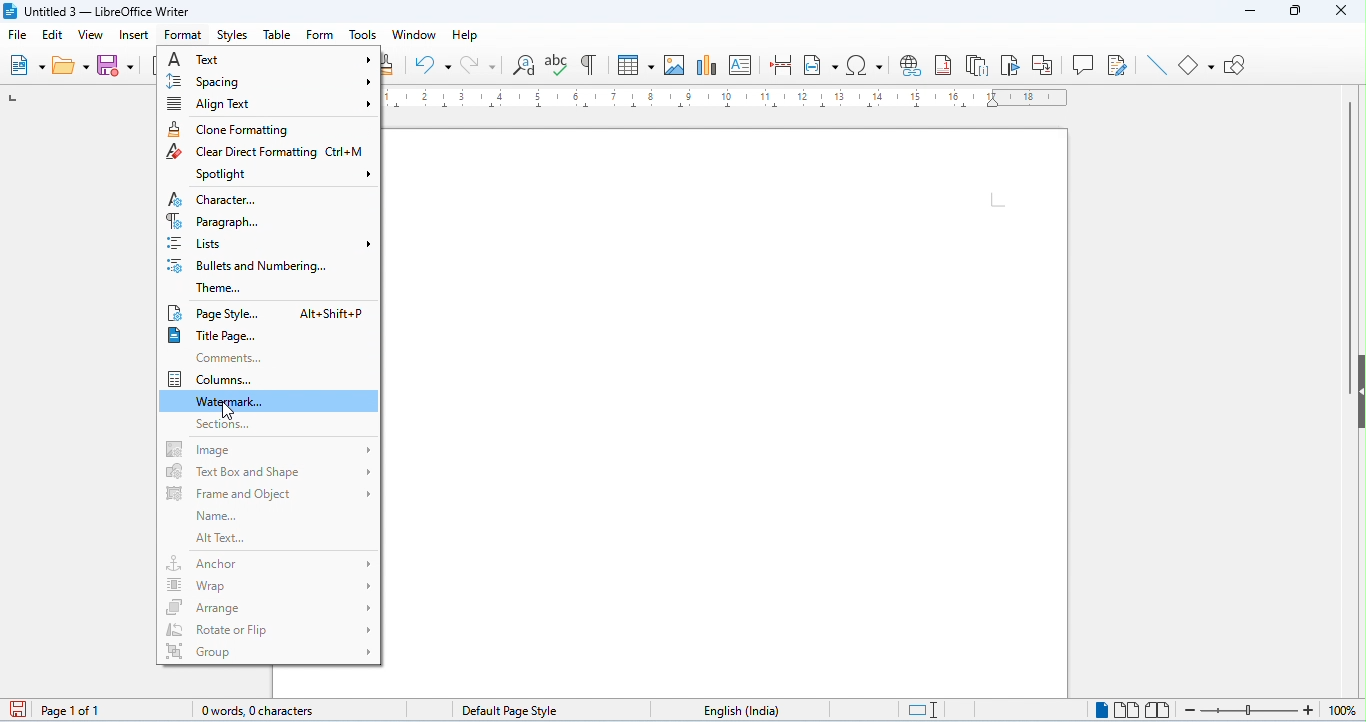 The height and width of the screenshot is (722, 1366). What do you see at coordinates (734, 708) in the screenshot?
I see `language` at bounding box center [734, 708].